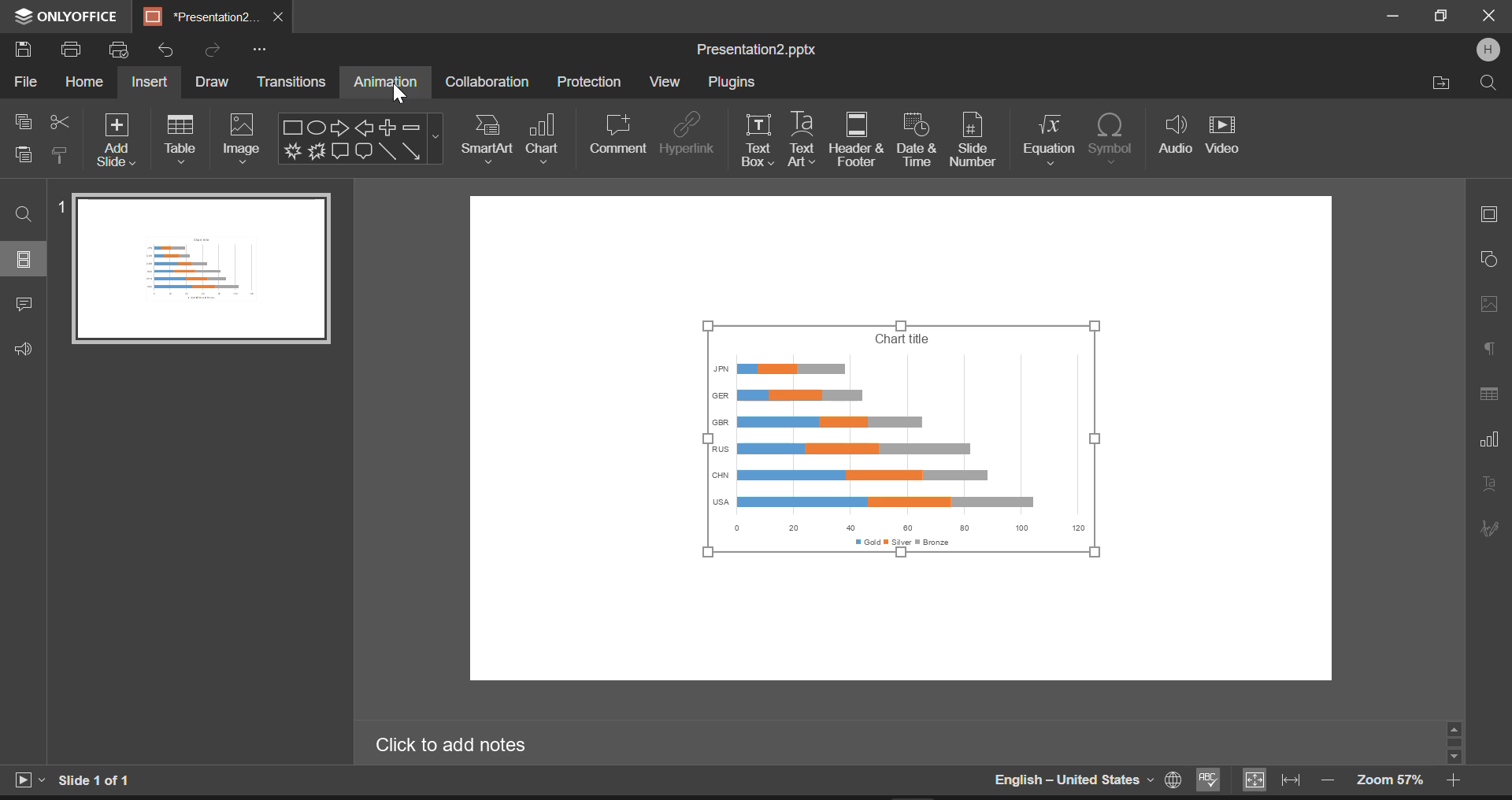  Describe the element at coordinates (339, 151) in the screenshot. I see `Rectangle Callout` at that location.